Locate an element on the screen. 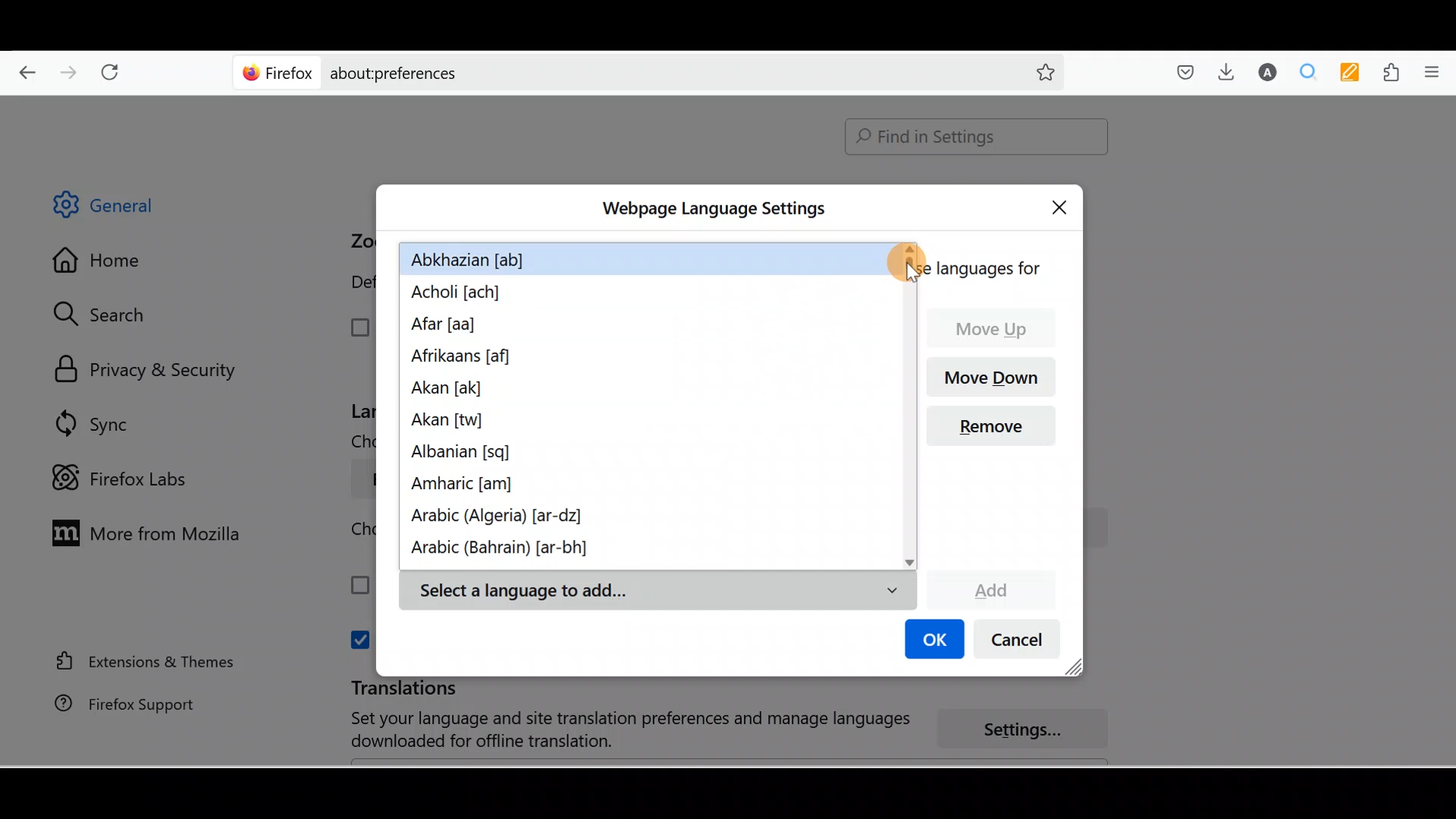 This screenshot has height=819, width=1456. Save to pocket is located at coordinates (1180, 73).